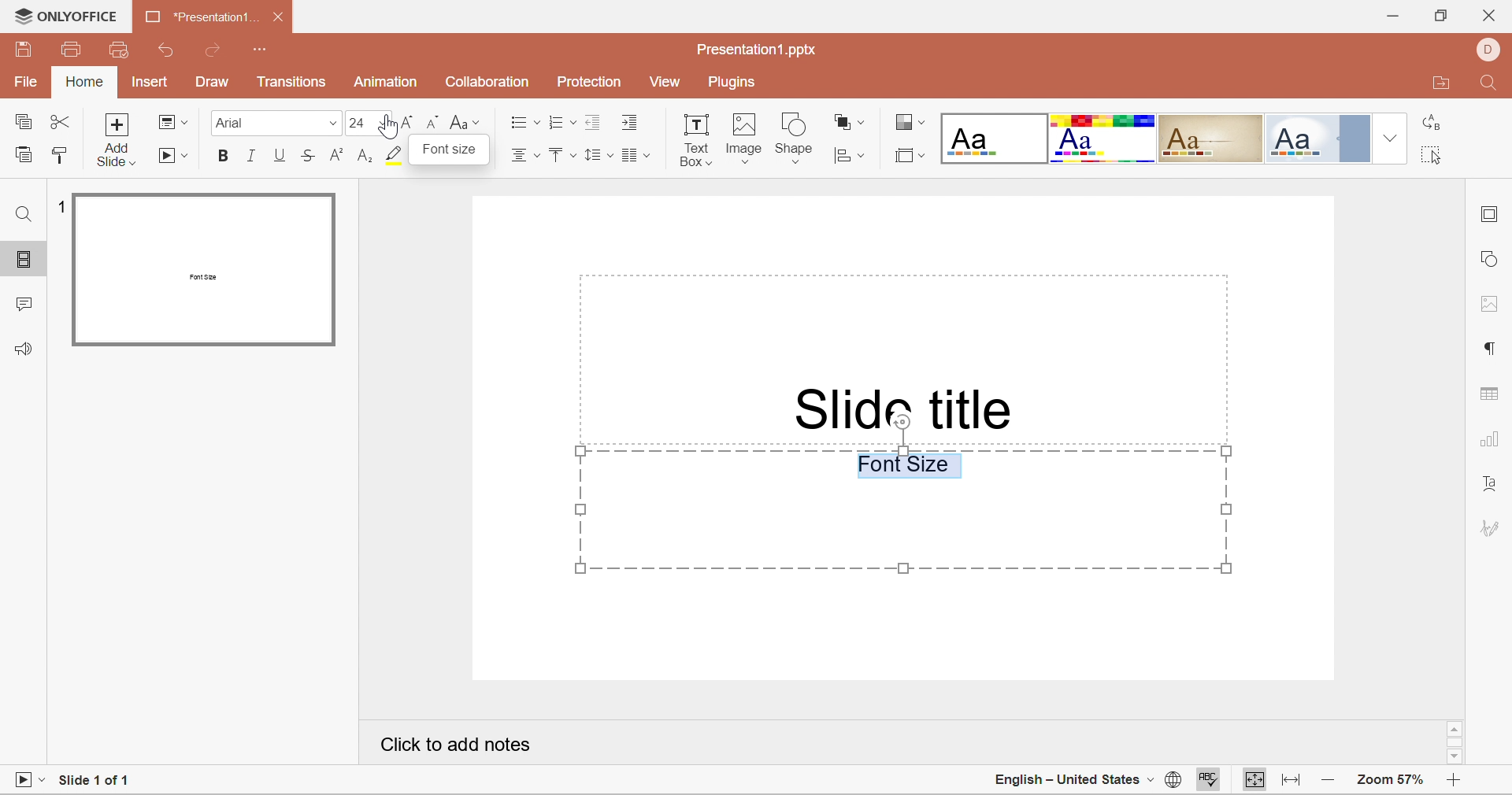 The image size is (1512, 795). I want to click on Italic, so click(251, 156).